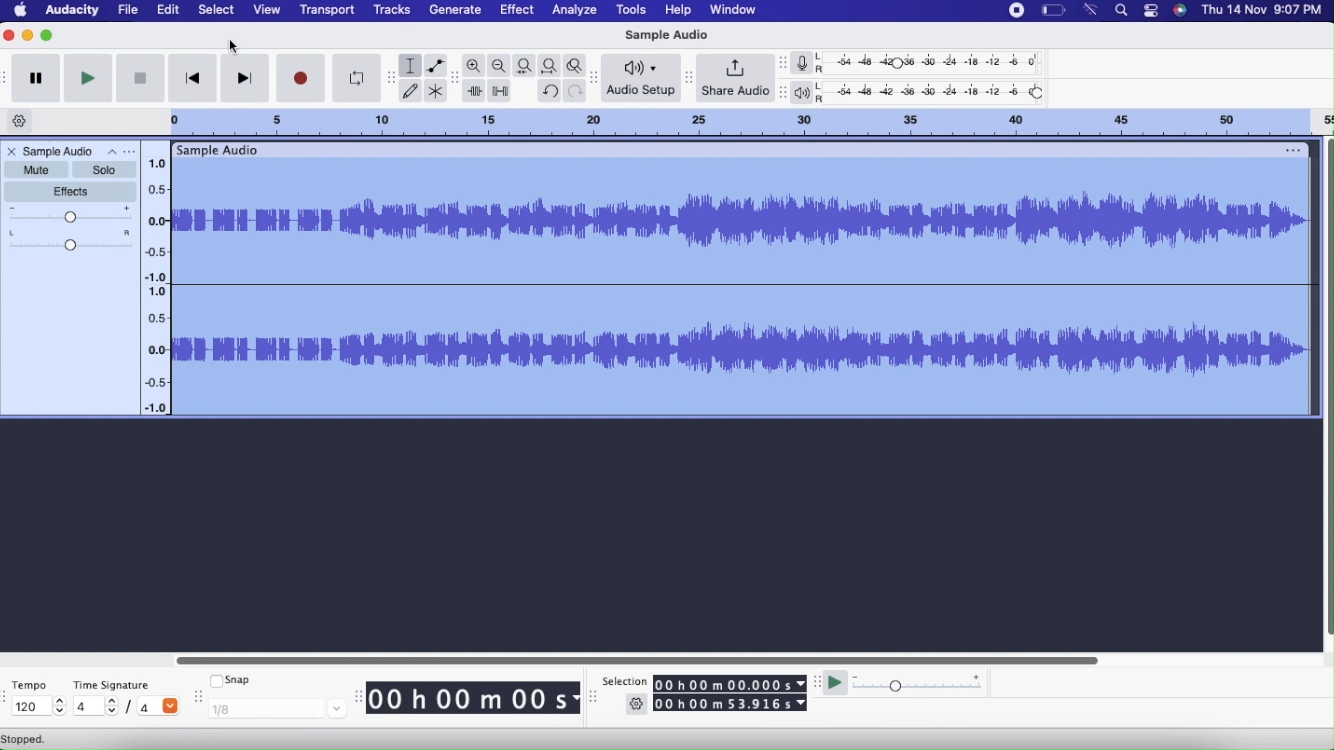  I want to click on Zoom toggle, so click(574, 66).